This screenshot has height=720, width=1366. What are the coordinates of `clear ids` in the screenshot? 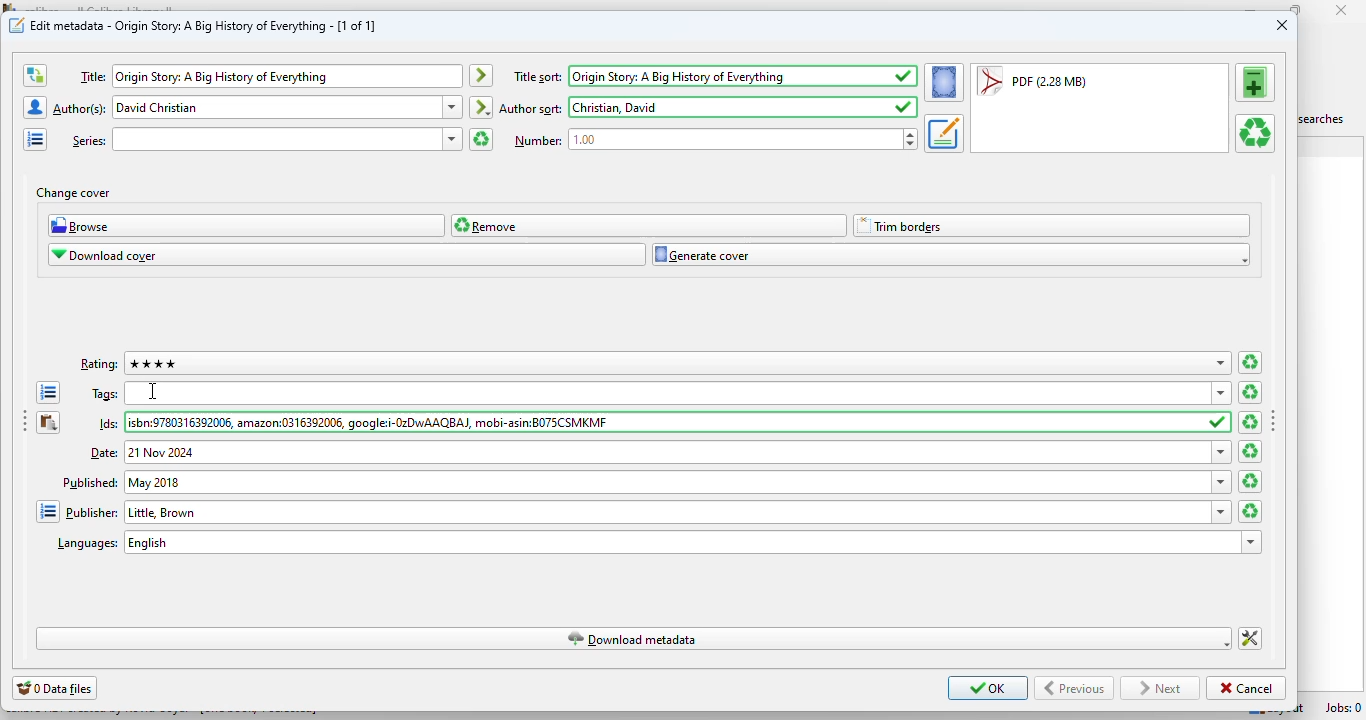 It's located at (1250, 422).